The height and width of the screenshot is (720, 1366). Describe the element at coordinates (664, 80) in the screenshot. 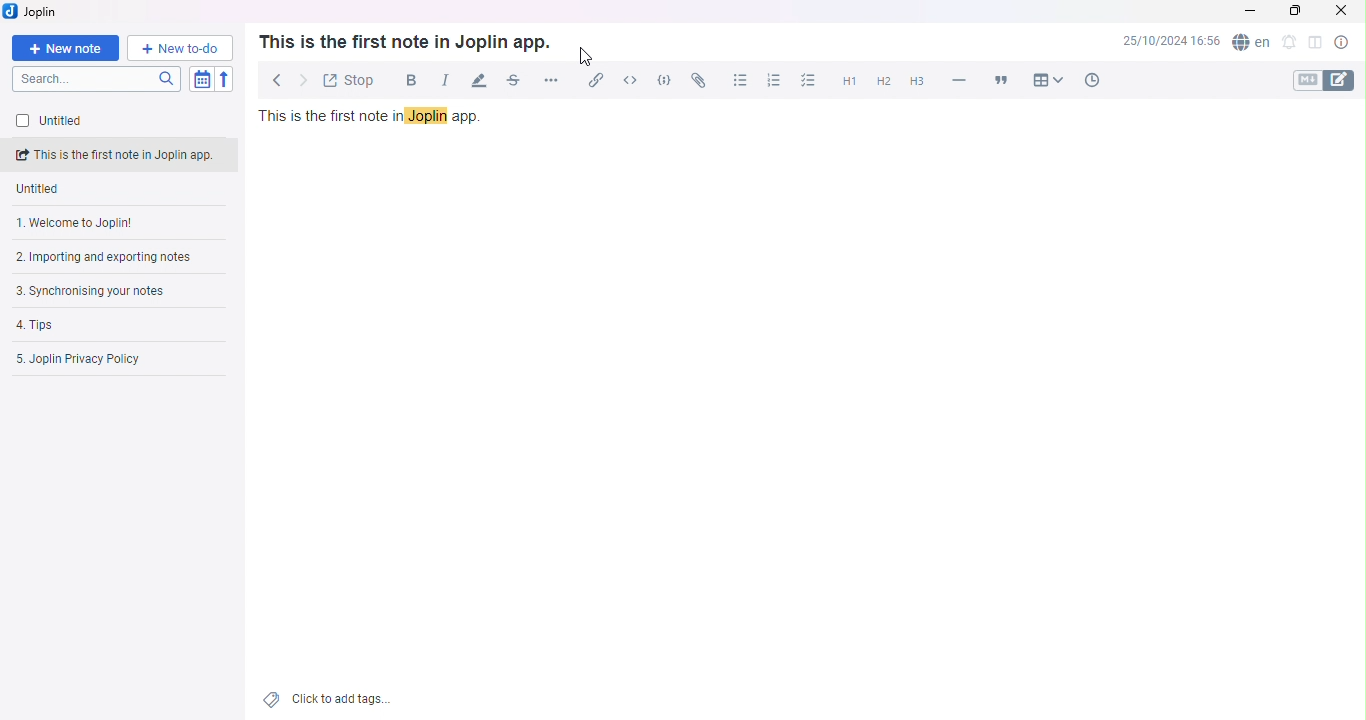

I see `Code block` at that location.